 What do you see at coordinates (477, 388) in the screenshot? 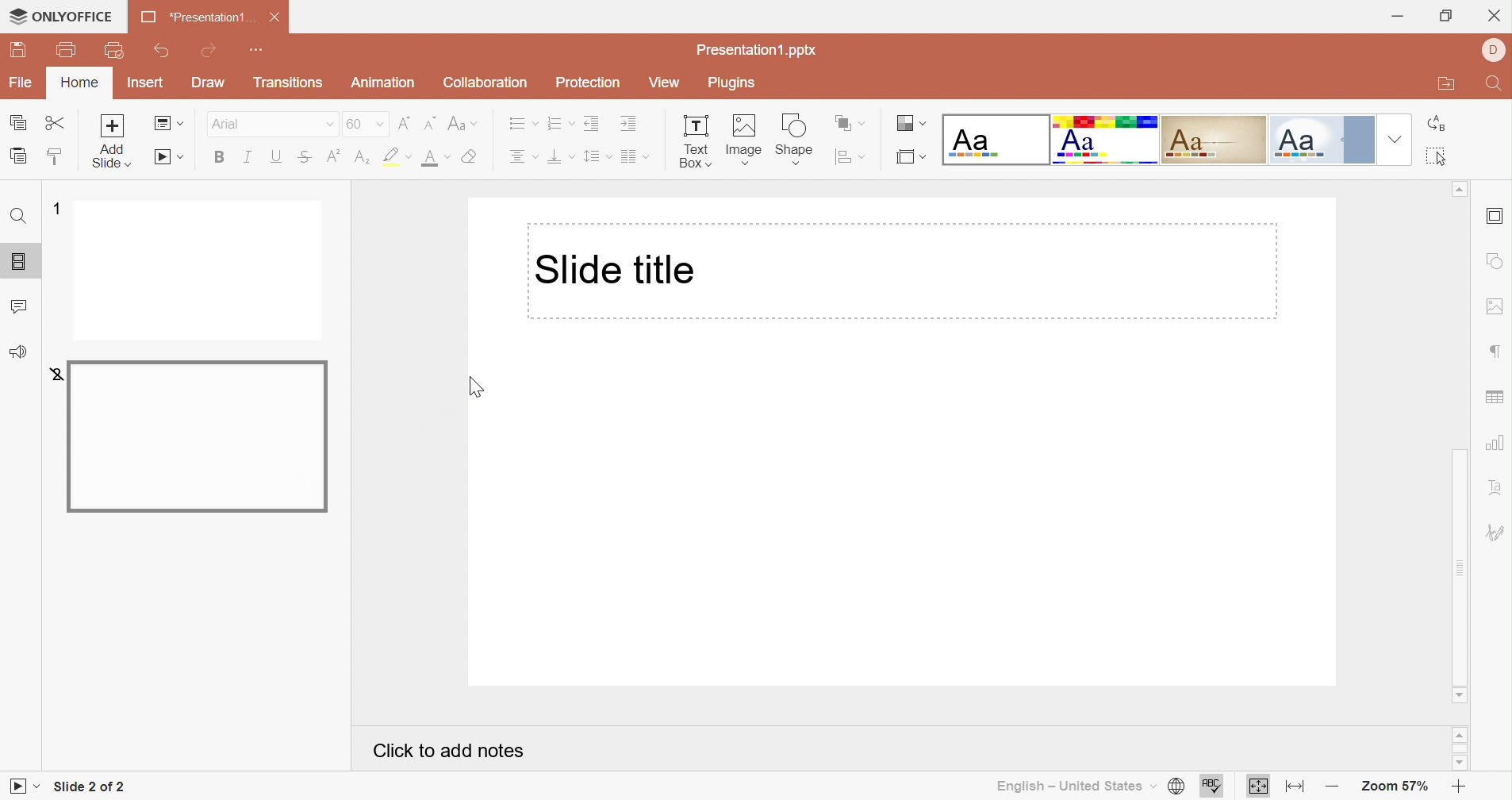
I see `Cursor` at bounding box center [477, 388].